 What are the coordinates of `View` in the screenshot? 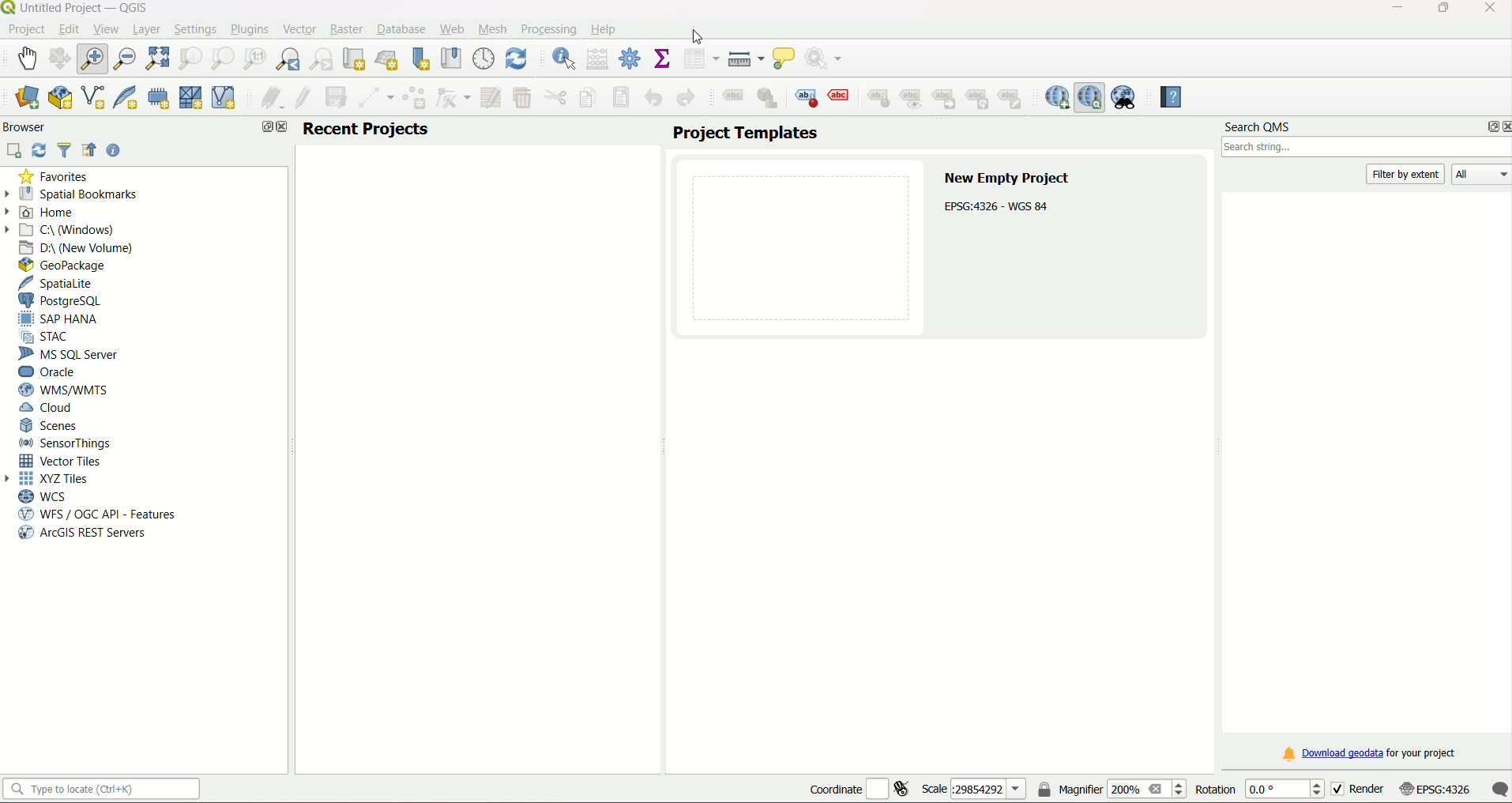 It's located at (104, 28).